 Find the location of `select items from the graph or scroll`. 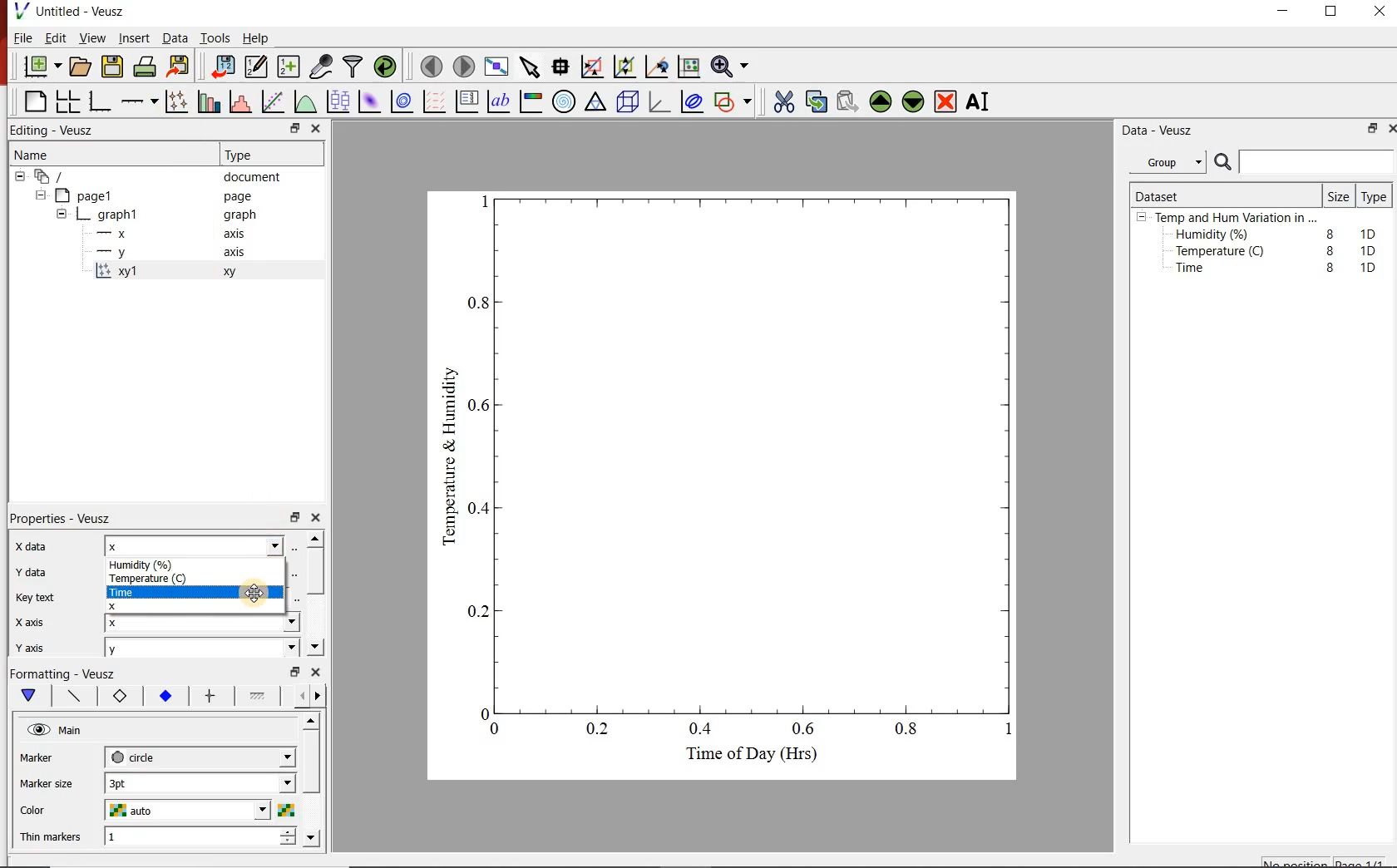

select items from the graph or scroll is located at coordinates (531, 69).